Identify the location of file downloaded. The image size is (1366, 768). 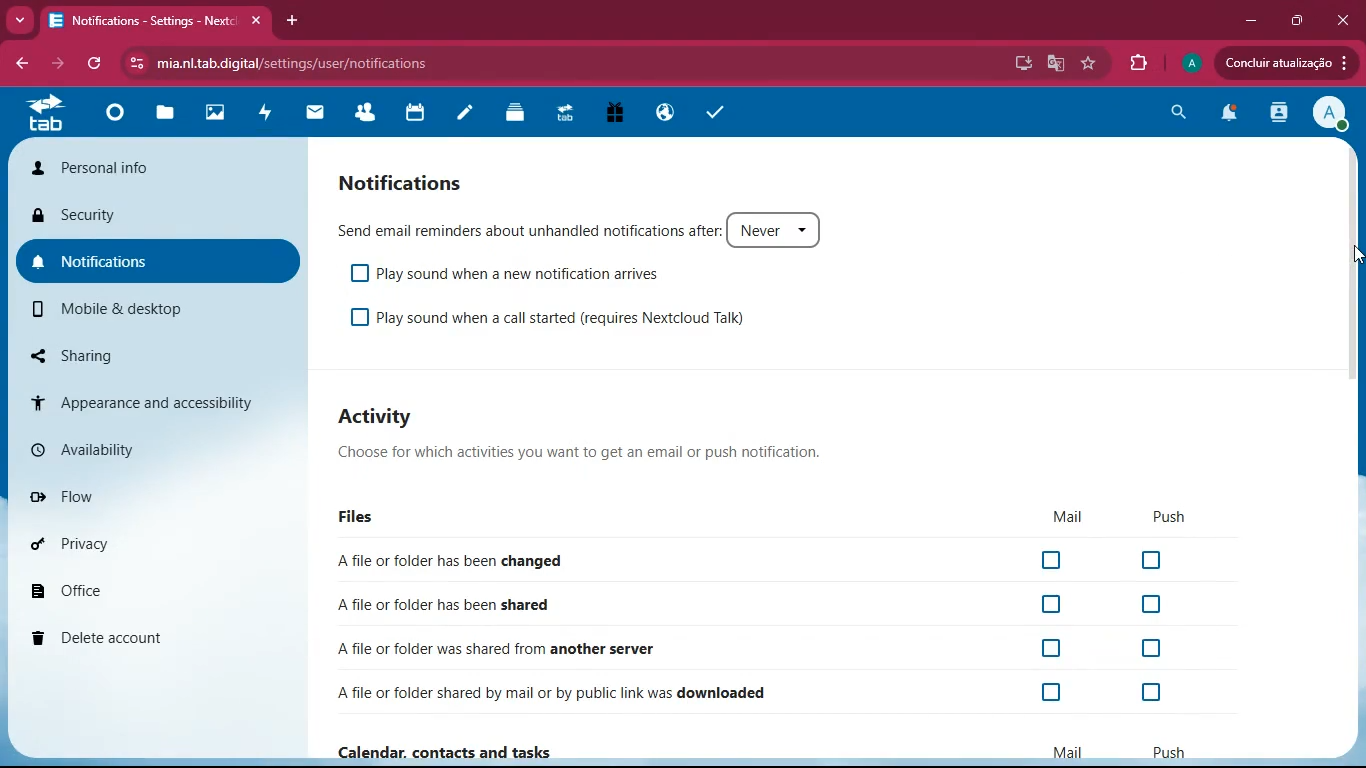
(542, 693).